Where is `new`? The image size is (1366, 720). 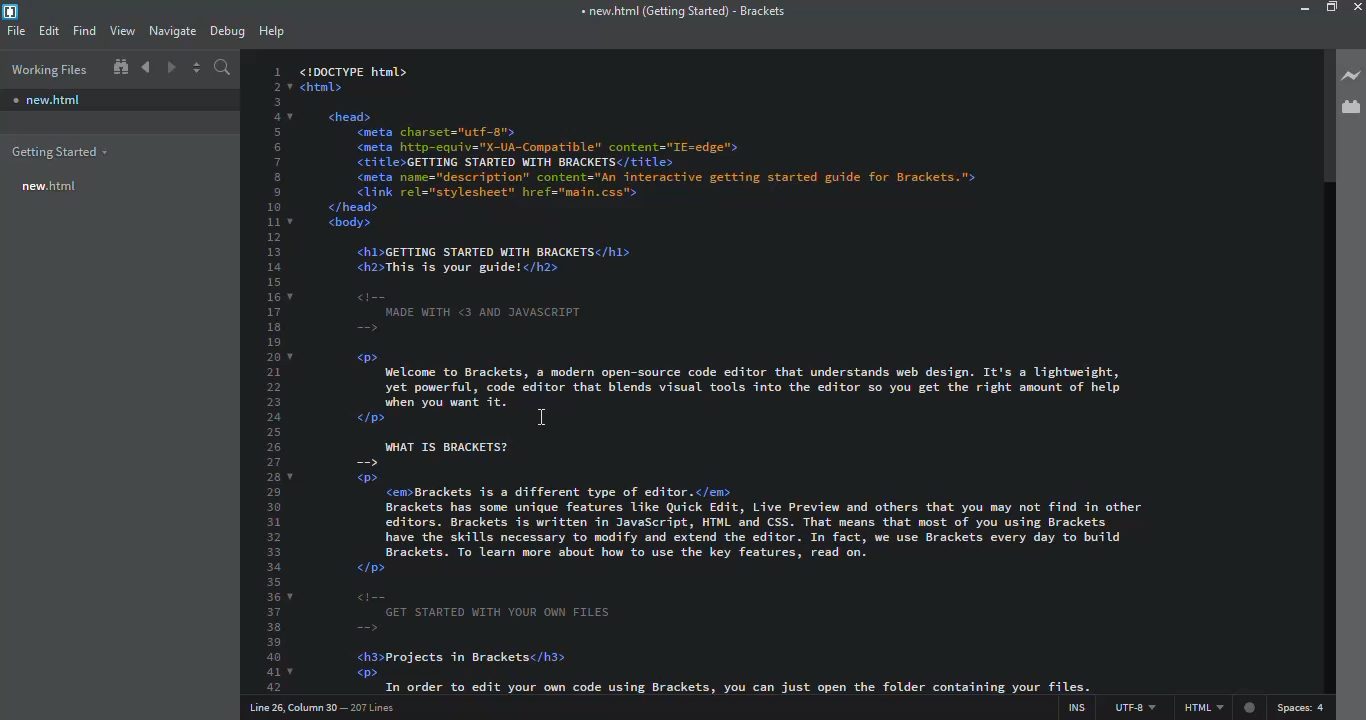 new is located at coordinates (48, 186).